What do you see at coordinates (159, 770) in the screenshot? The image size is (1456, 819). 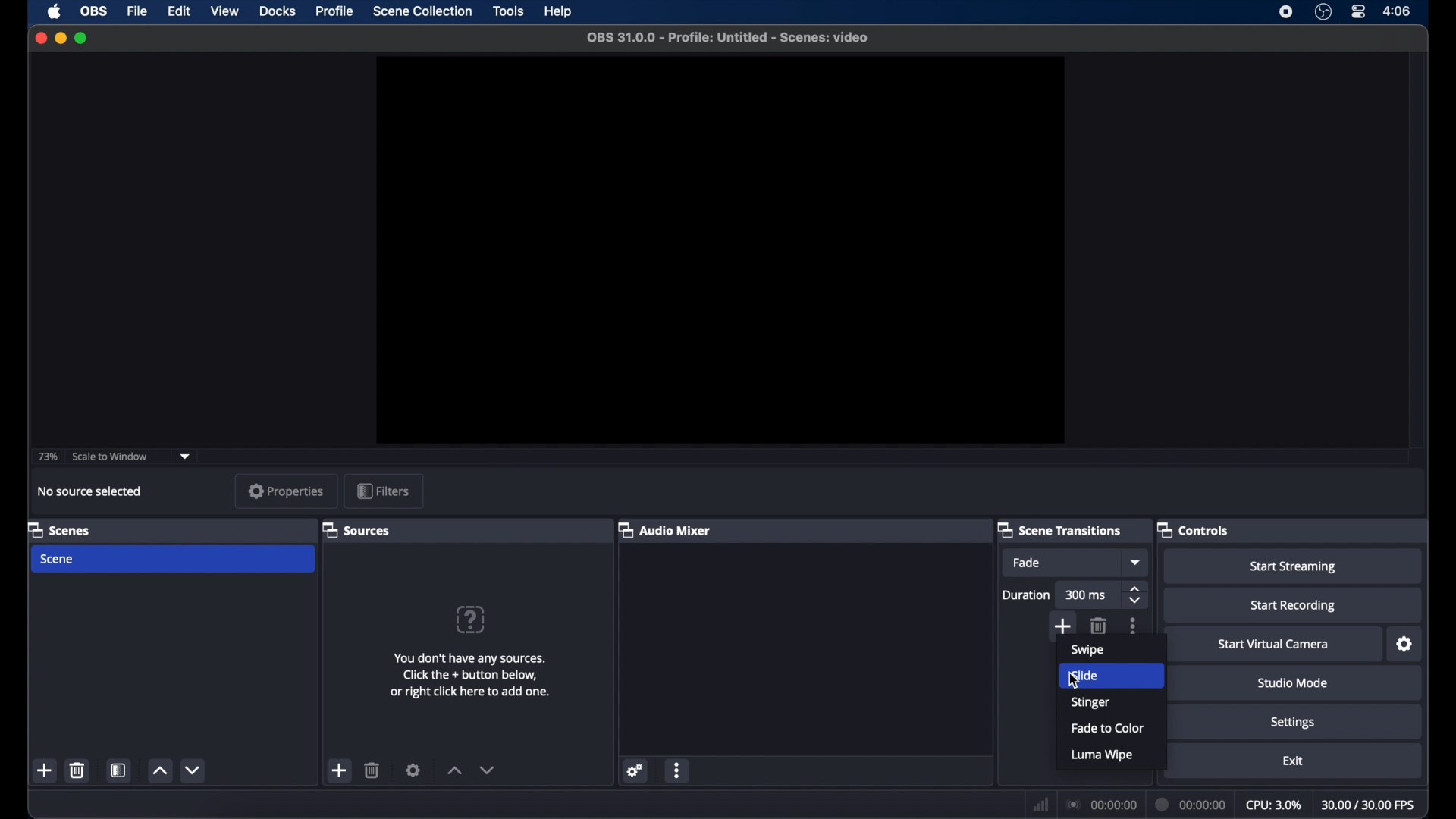 I see `increment` at bounding box center [159, 770].